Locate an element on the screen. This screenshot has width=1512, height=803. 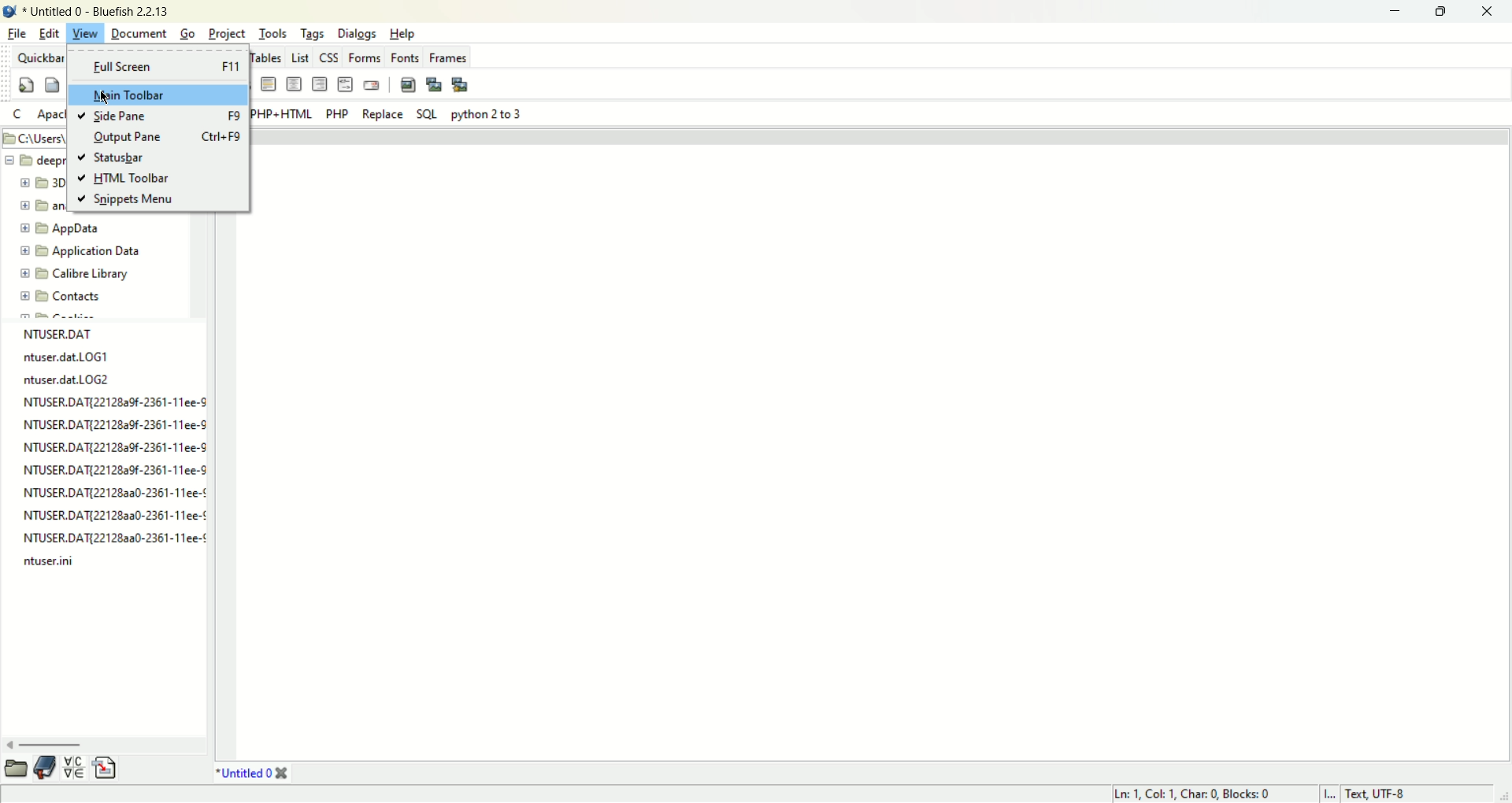
tables is located at coordinates (265, 56).